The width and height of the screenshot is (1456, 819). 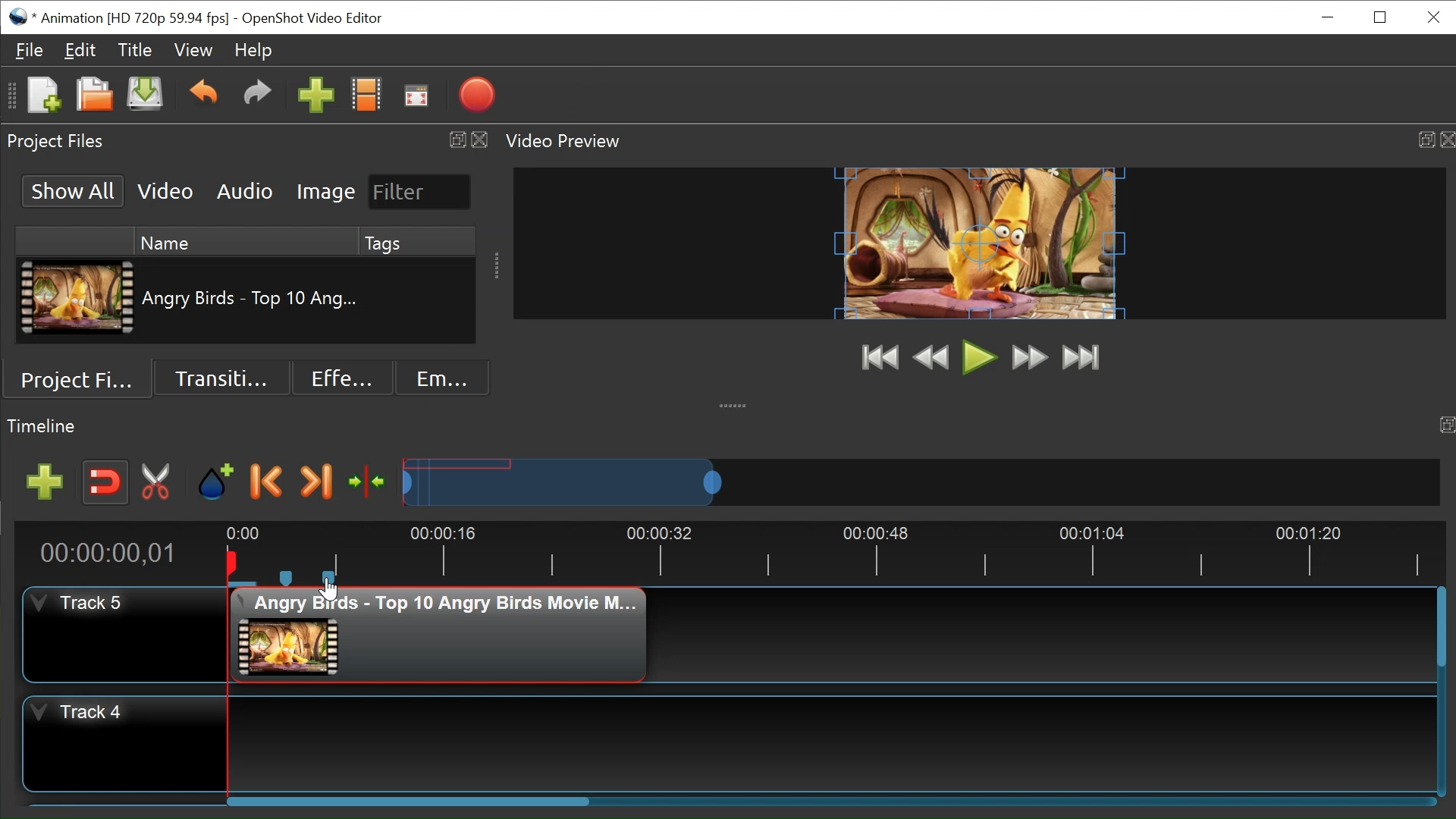 What do you see at coordinates (107, 554) in the screenshot?
I see `Current Position` at bounding box center [107, 554].